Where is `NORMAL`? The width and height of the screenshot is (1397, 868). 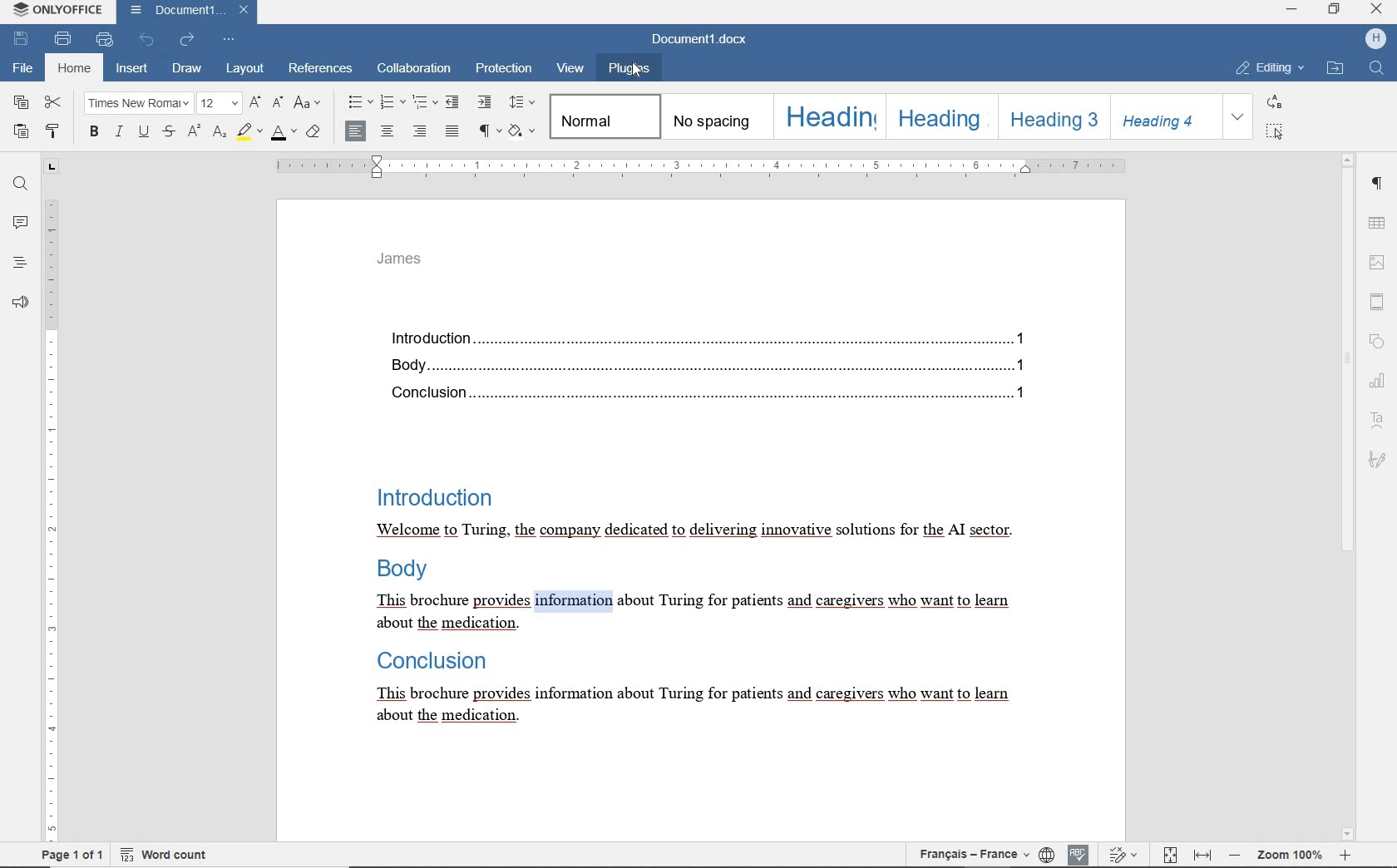 NORMAL is located at coordinates (603, 117).